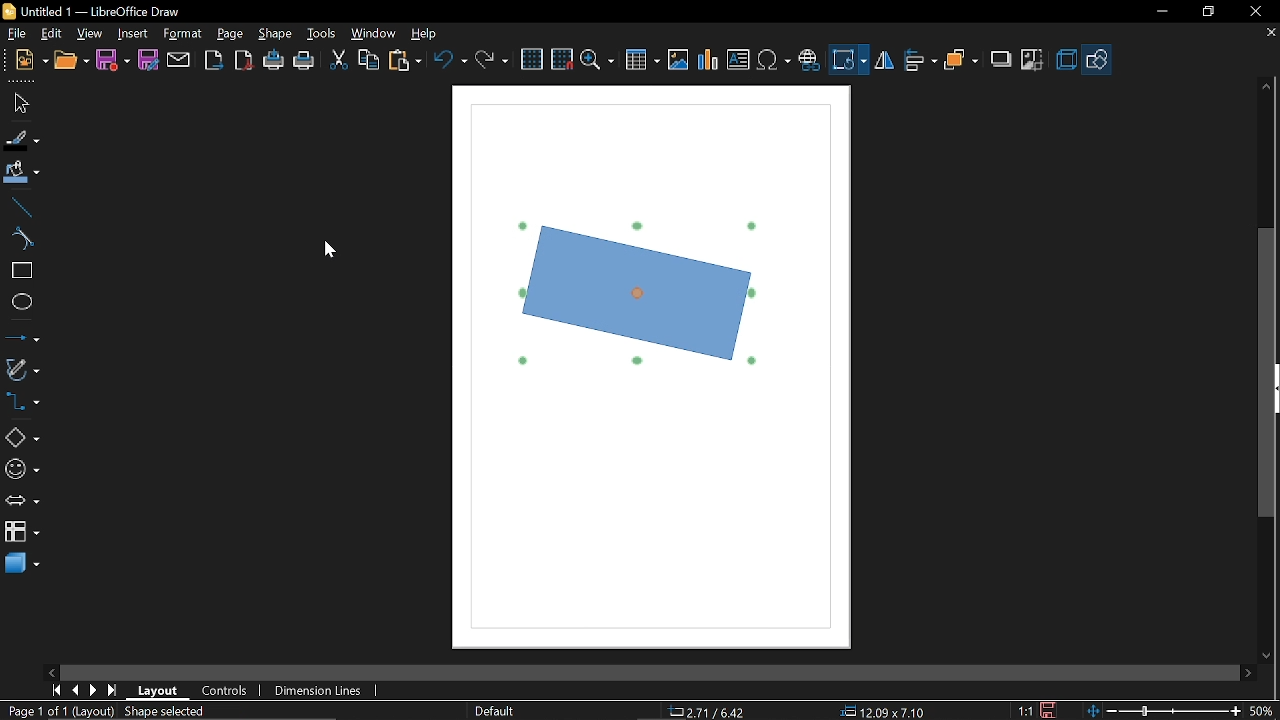 This screenshot has height=720, width=1280. I want to click on lines and arrows, so click(22, 339).